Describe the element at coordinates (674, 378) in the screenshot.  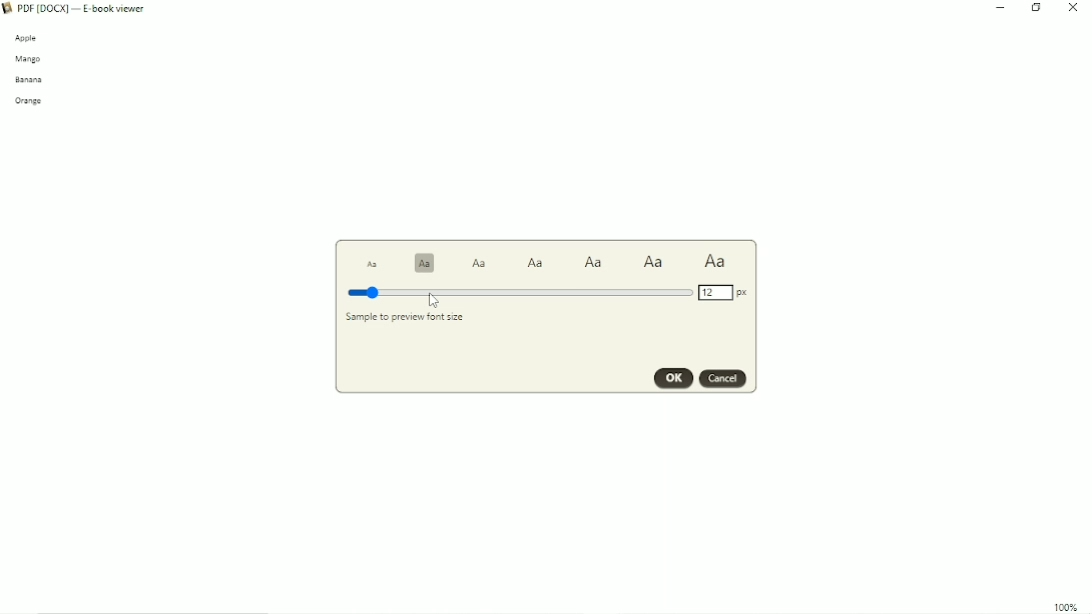
I see `OK` at that location.